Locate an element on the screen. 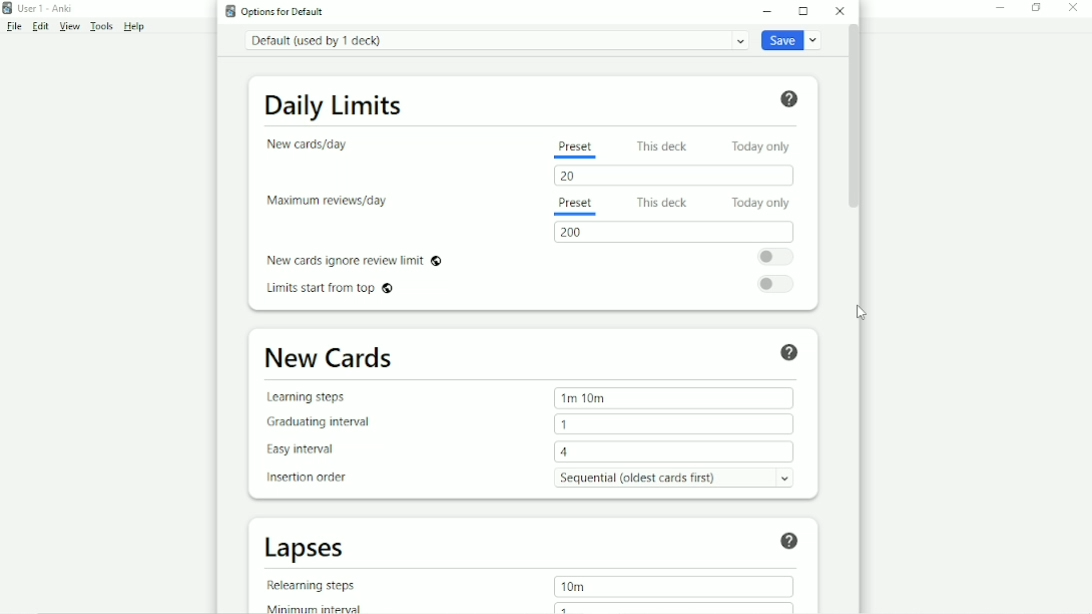 The height and width of the screenshot is (614, 1092). Insertion order is located at coordinates (307, 477).